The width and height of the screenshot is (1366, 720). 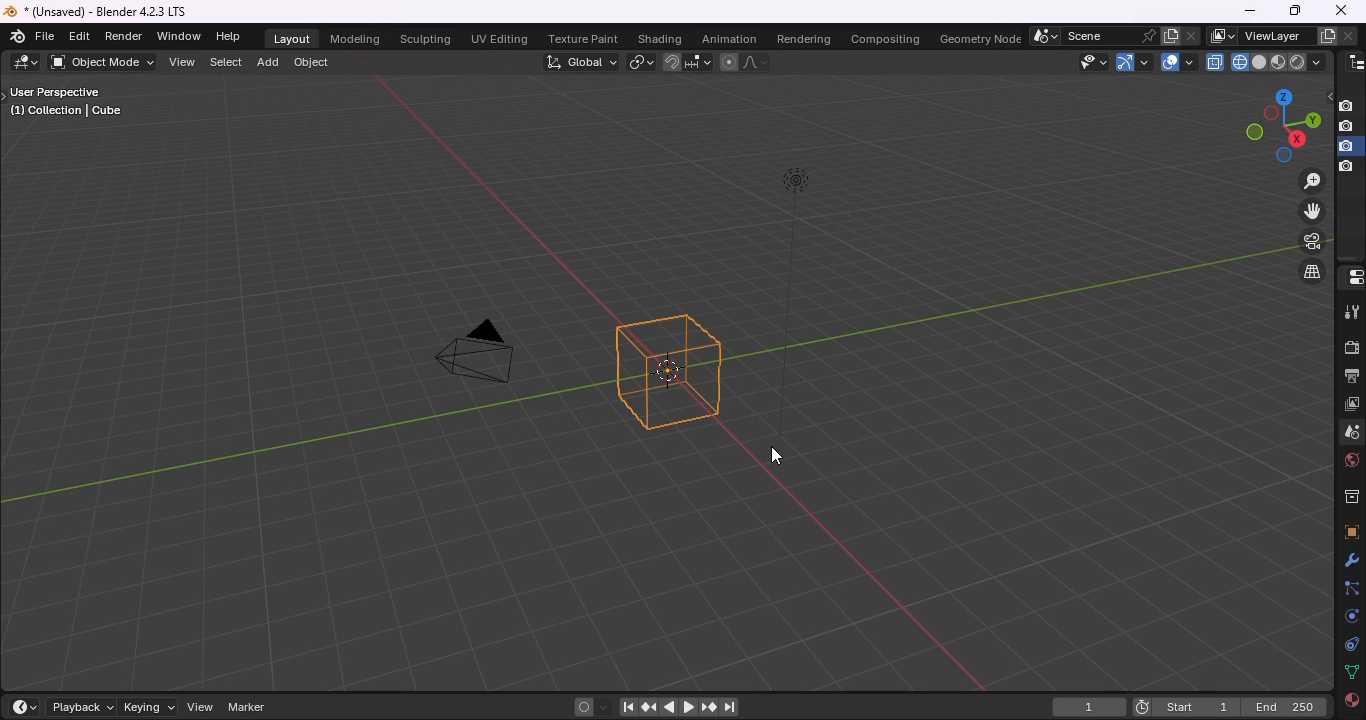 I want to click on window, so click(x=180, y=36).